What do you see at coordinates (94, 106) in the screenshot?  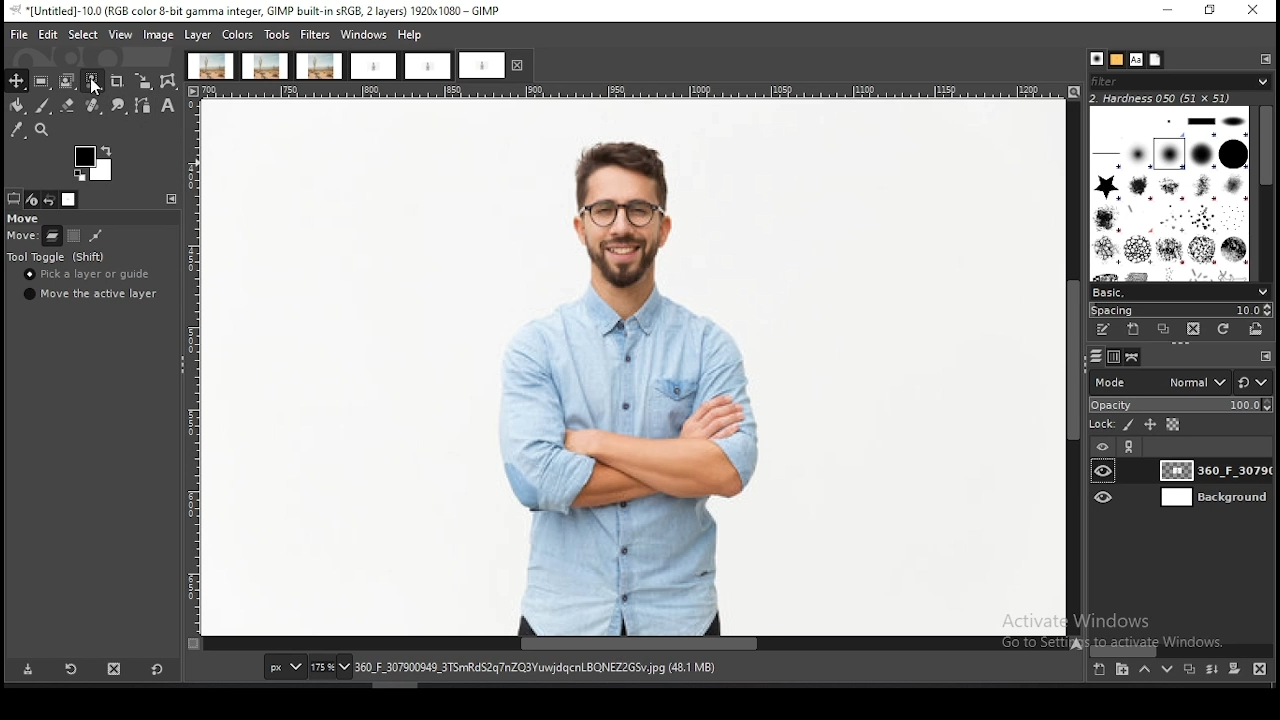 I see `healing tool` at bounding box center [94, 106].